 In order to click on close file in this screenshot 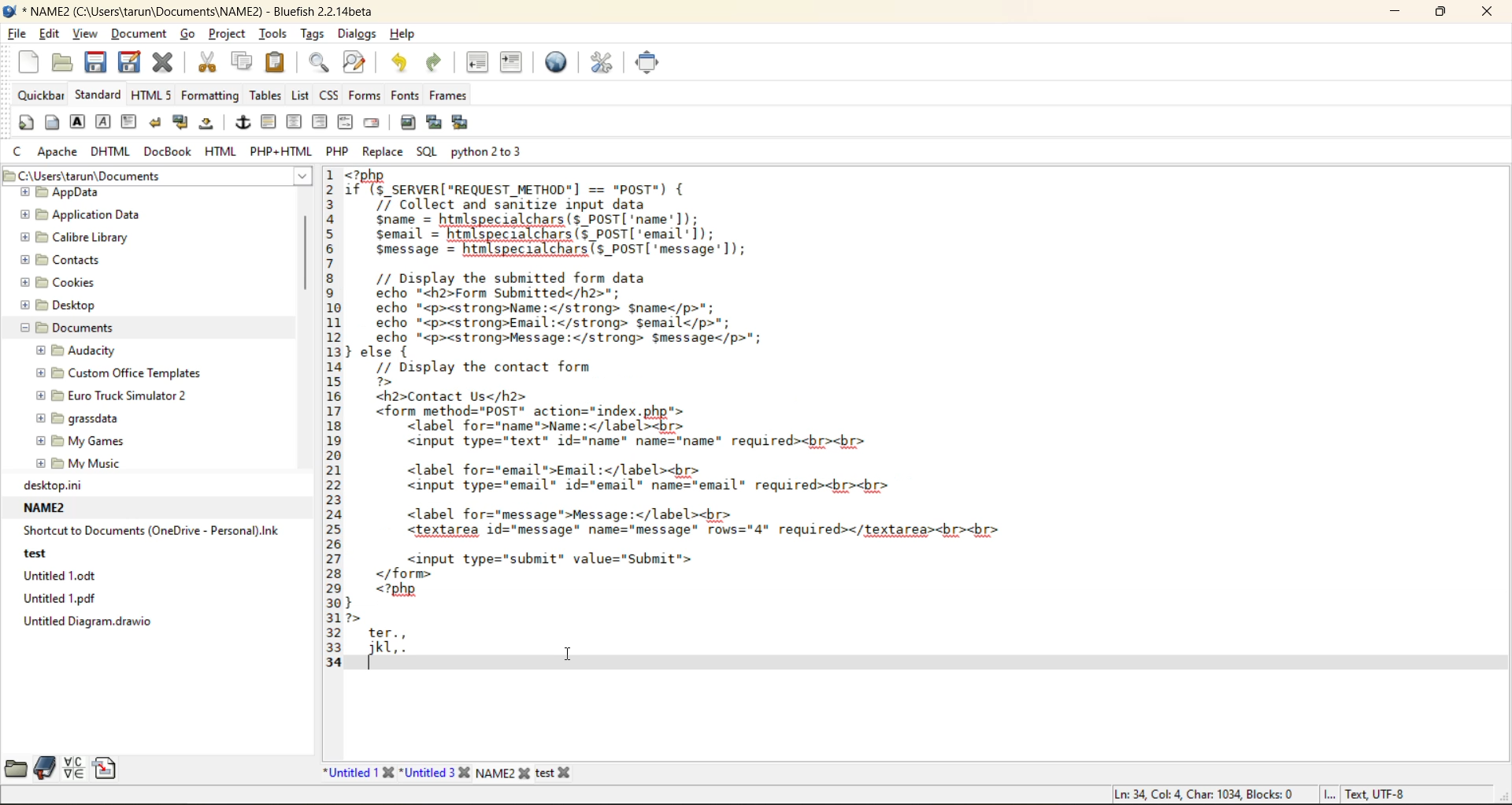, I will do `click(163, 65)`.